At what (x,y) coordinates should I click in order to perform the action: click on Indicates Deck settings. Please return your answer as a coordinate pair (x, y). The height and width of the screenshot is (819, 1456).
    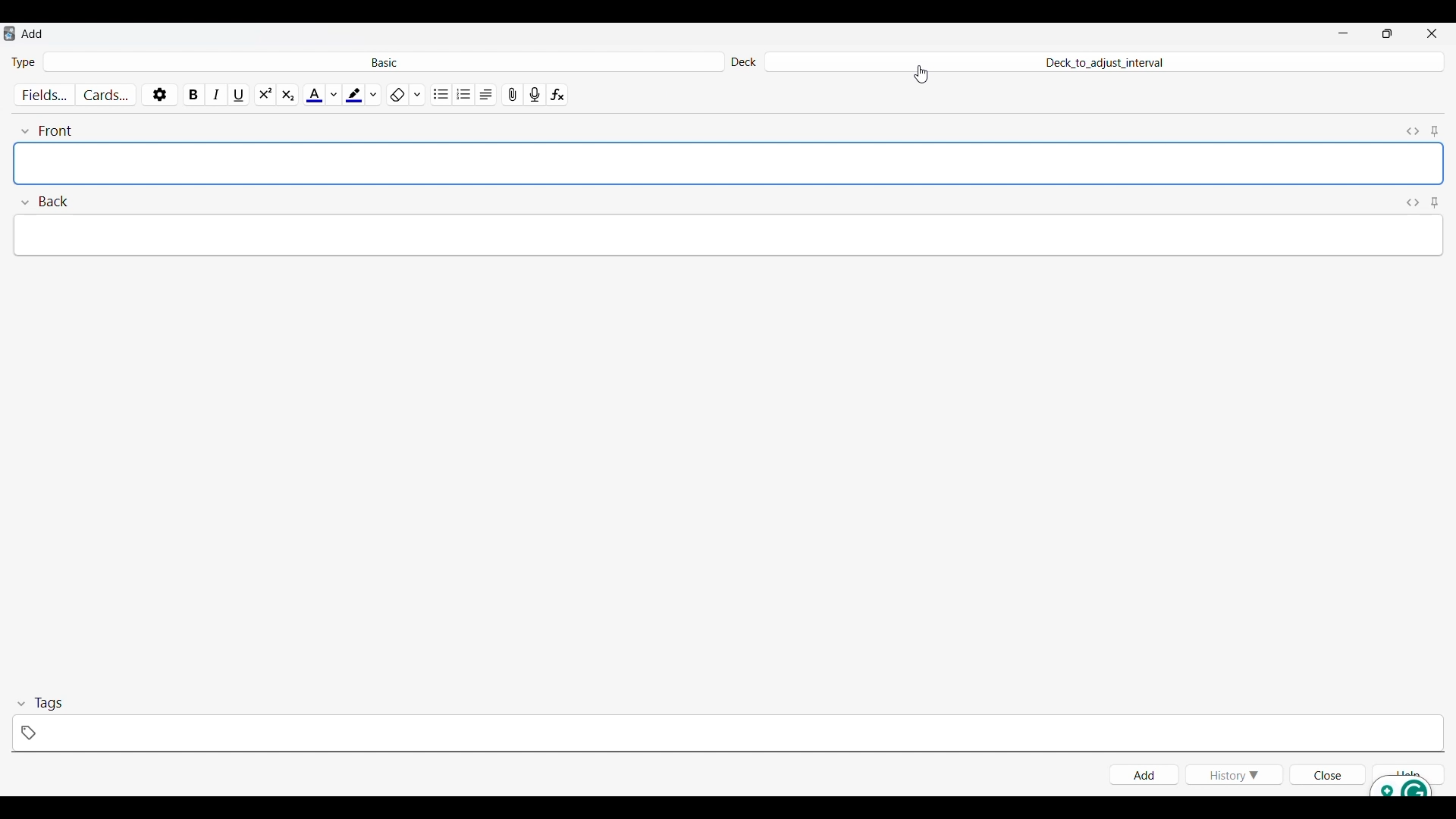
    Looking at the image, I should click on (743, 63).